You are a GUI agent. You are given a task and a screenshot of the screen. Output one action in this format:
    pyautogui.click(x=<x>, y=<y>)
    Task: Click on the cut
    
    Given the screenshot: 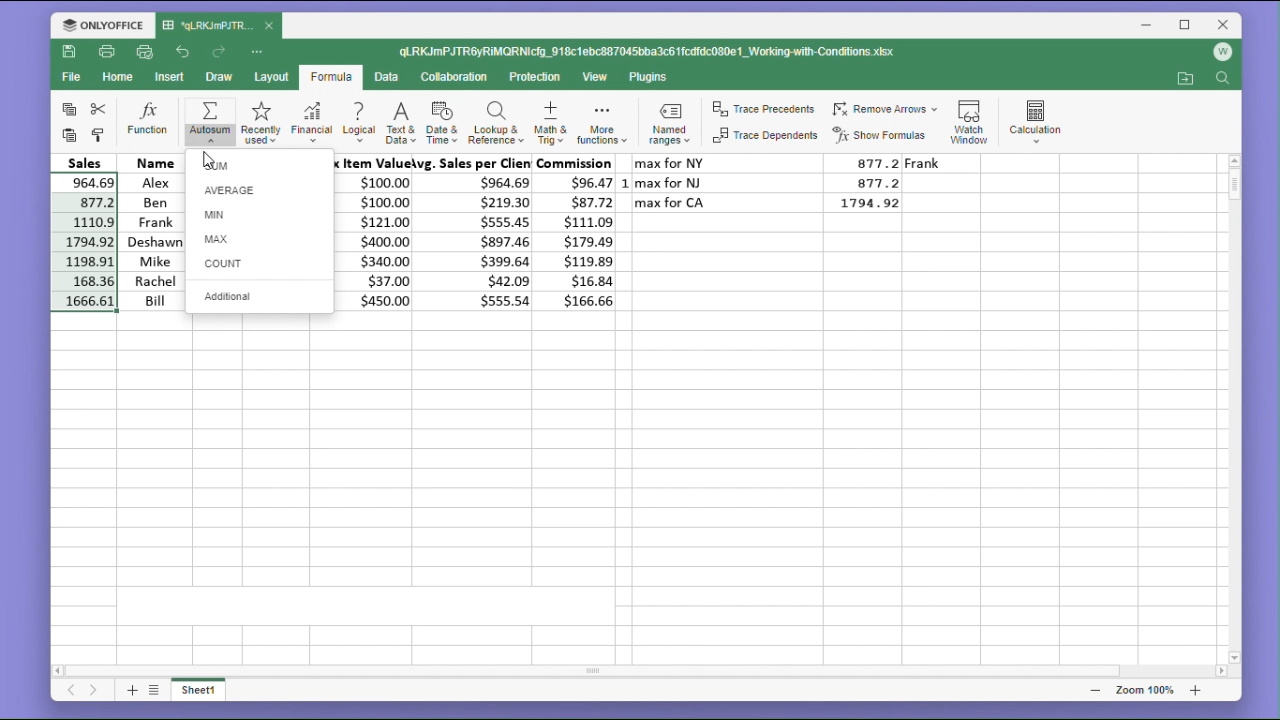 What is the action you would take?
    pyautogui.click(x=102, y=109)
    